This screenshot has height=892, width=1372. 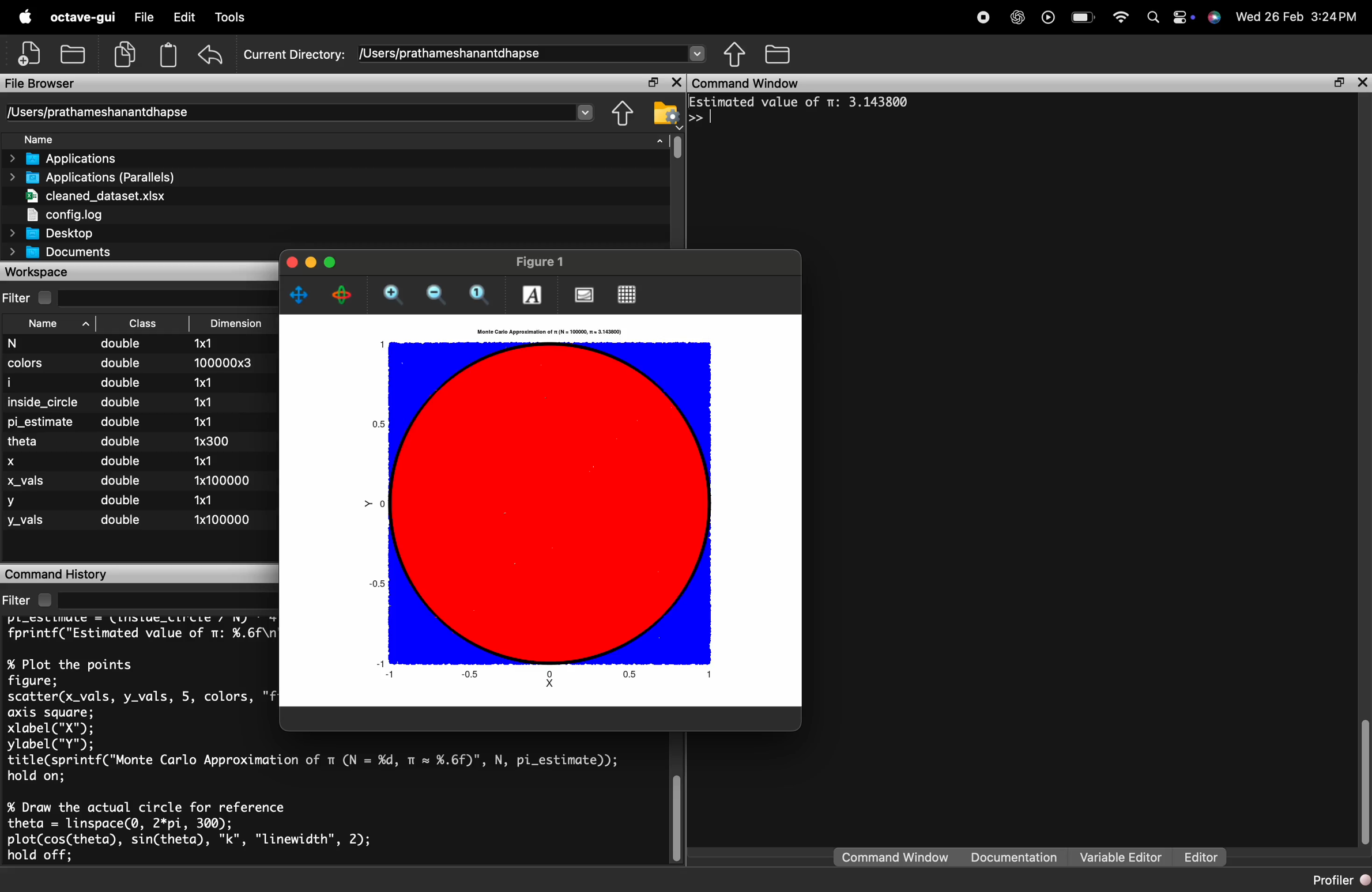 I want to click on toggle current axis visible, so click(x=585, y=296).